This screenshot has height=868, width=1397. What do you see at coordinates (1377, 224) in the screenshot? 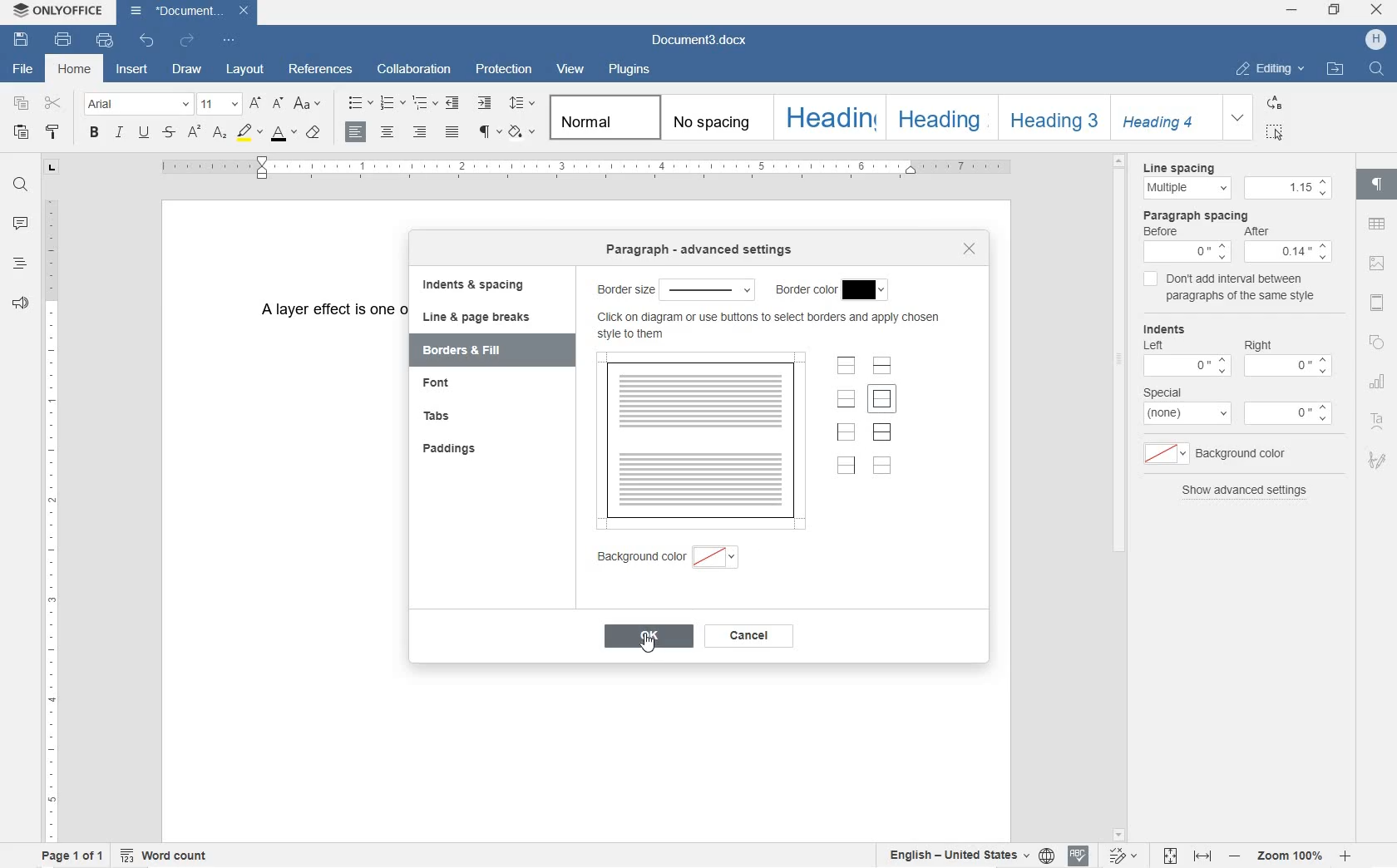
I see `TABLE` at bounding box center [1377, 224].